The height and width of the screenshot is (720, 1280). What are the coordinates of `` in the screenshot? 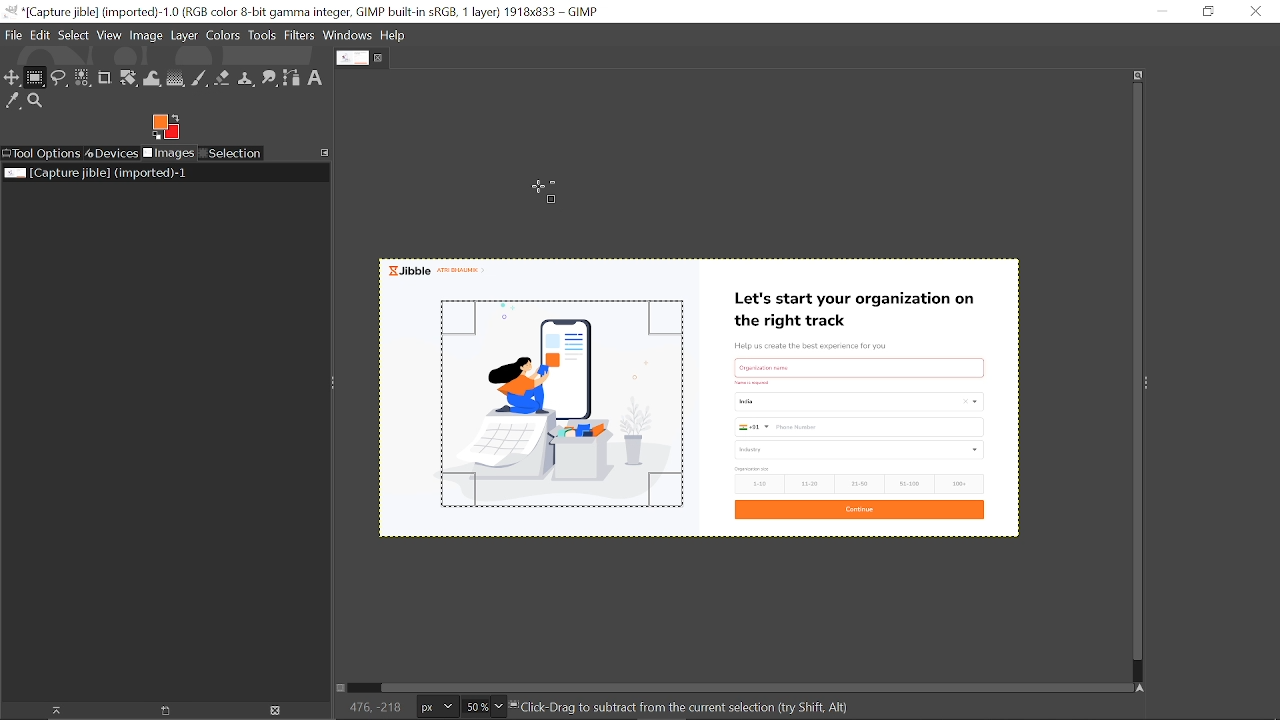 It's located at (752, 382).